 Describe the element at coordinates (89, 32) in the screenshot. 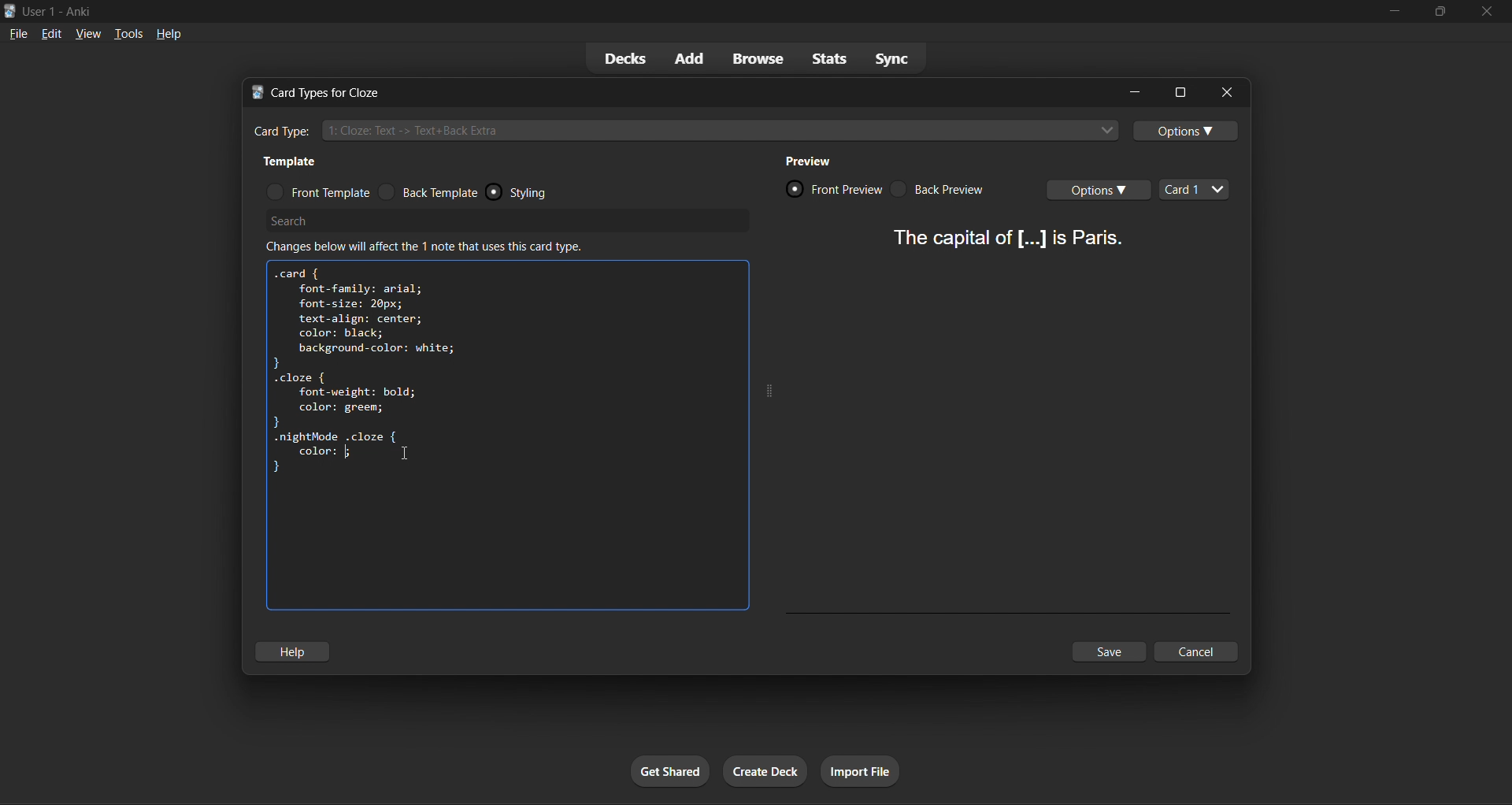

I see `view` at that location.